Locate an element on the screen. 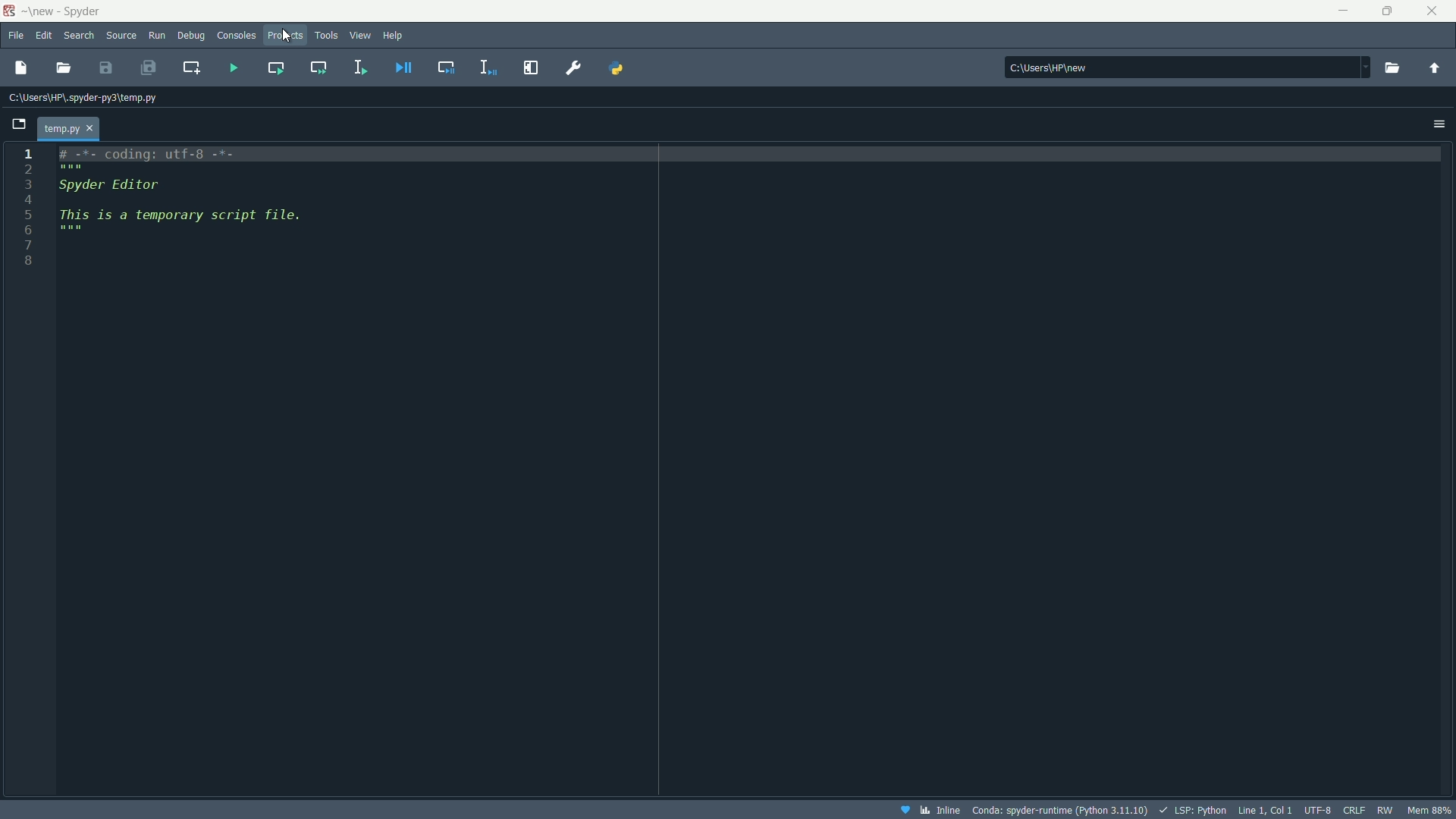  rw is located at coordinates (1387, 809).